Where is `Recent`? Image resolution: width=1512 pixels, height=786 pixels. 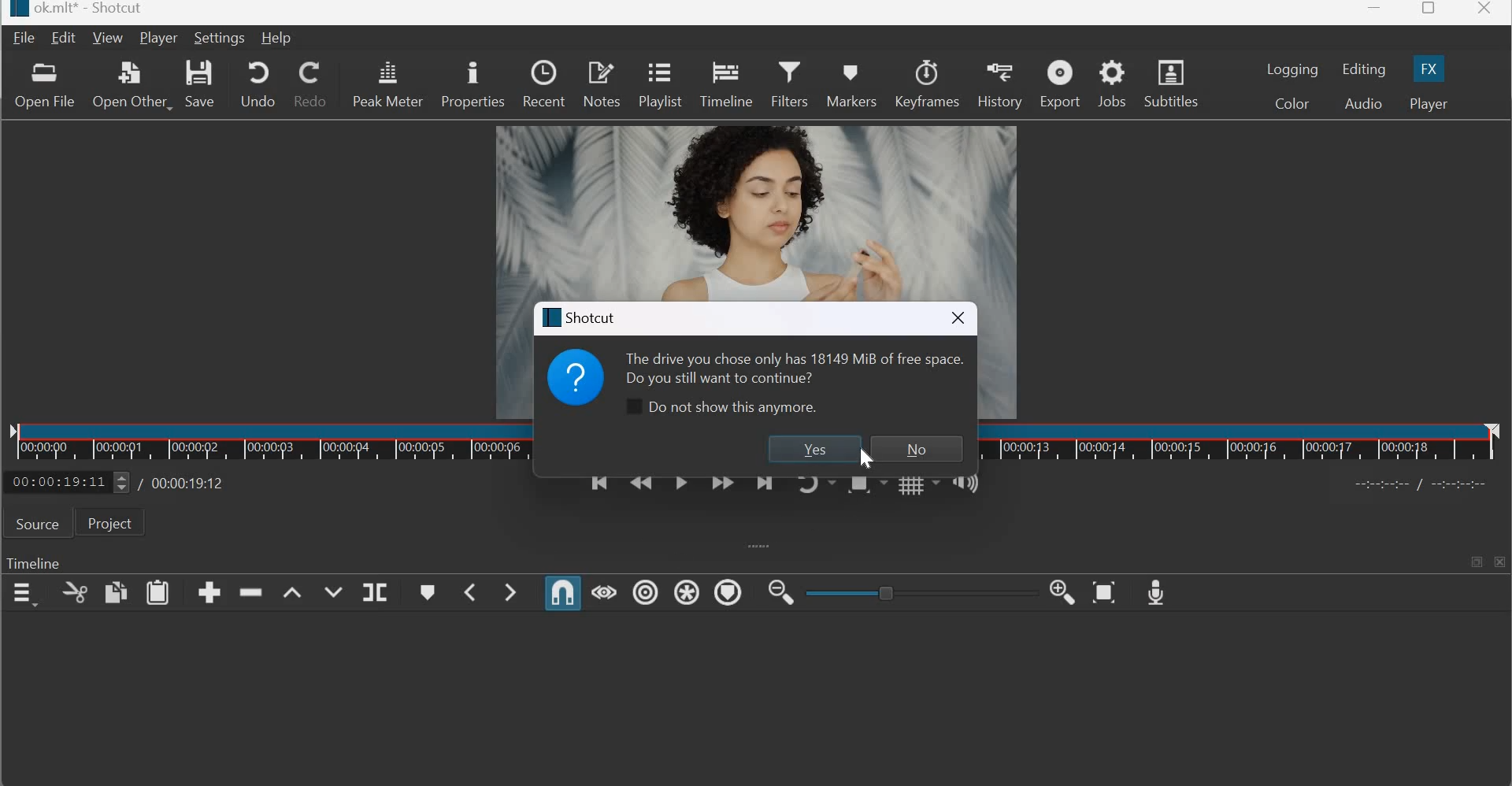
Recent is located at coordinates (543, 82).